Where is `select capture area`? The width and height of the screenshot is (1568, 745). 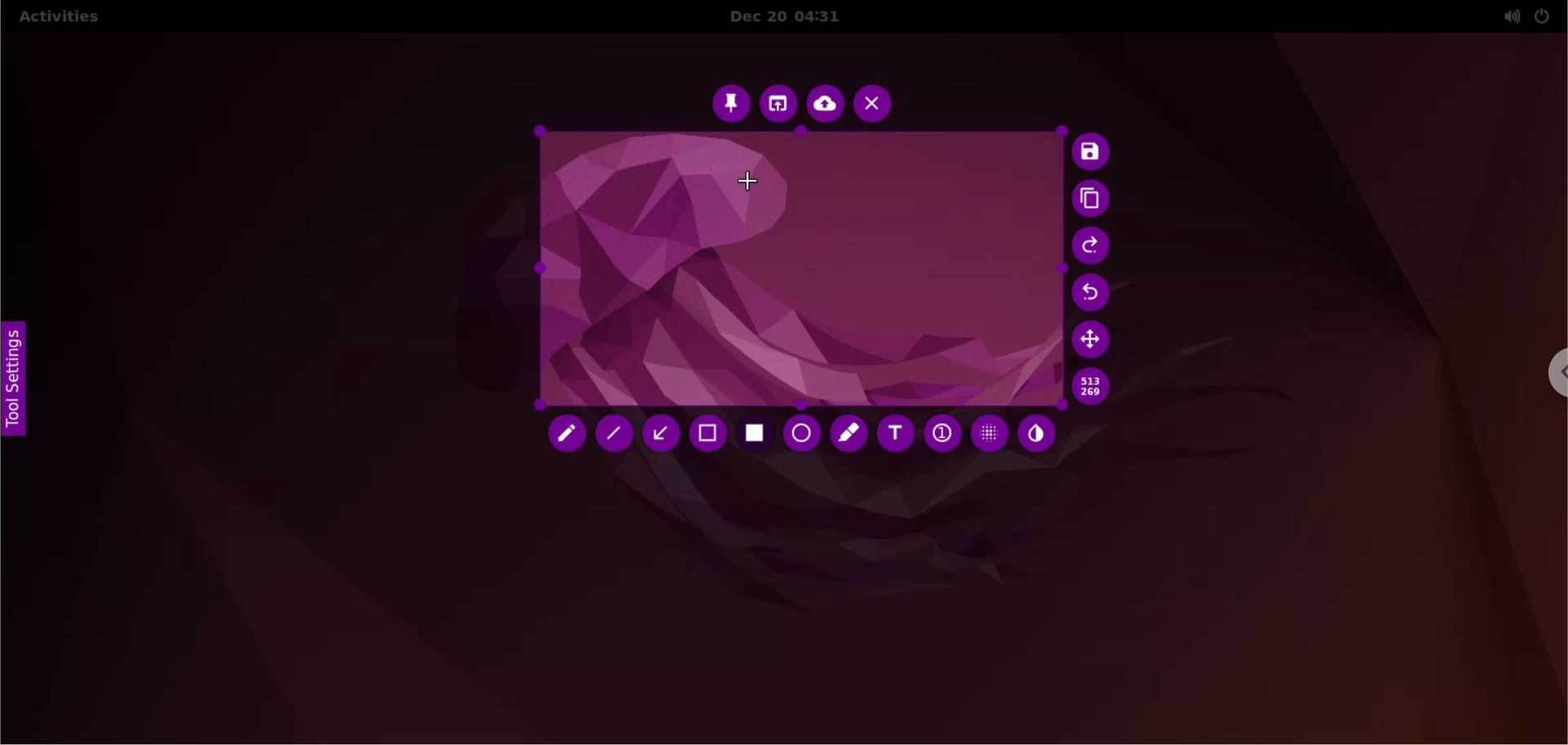 select capture area is located at coordinates (805, 270).